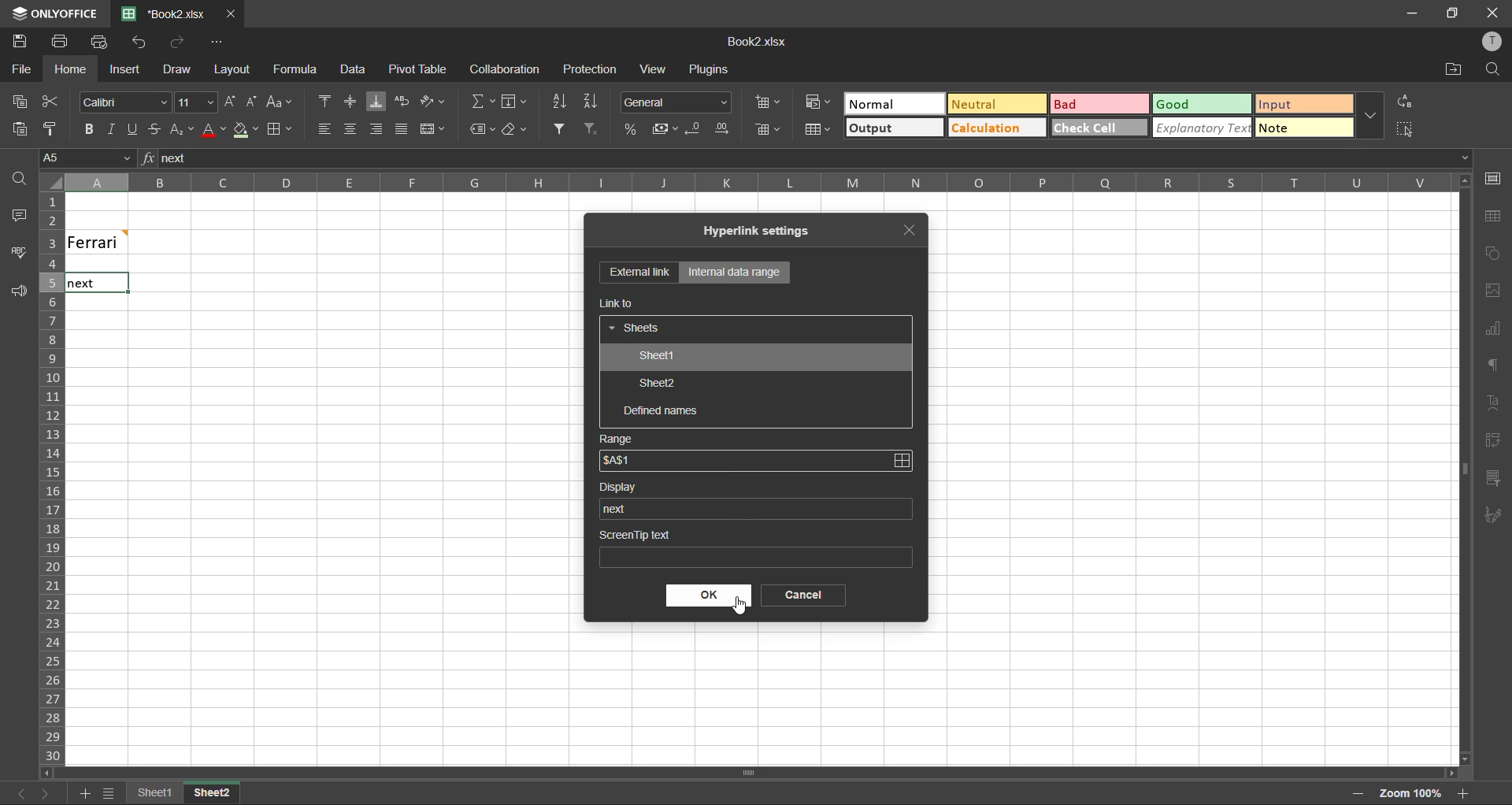  Describe the element at coordinates (748, 181) in the screenshot. I see `column names` at that location.